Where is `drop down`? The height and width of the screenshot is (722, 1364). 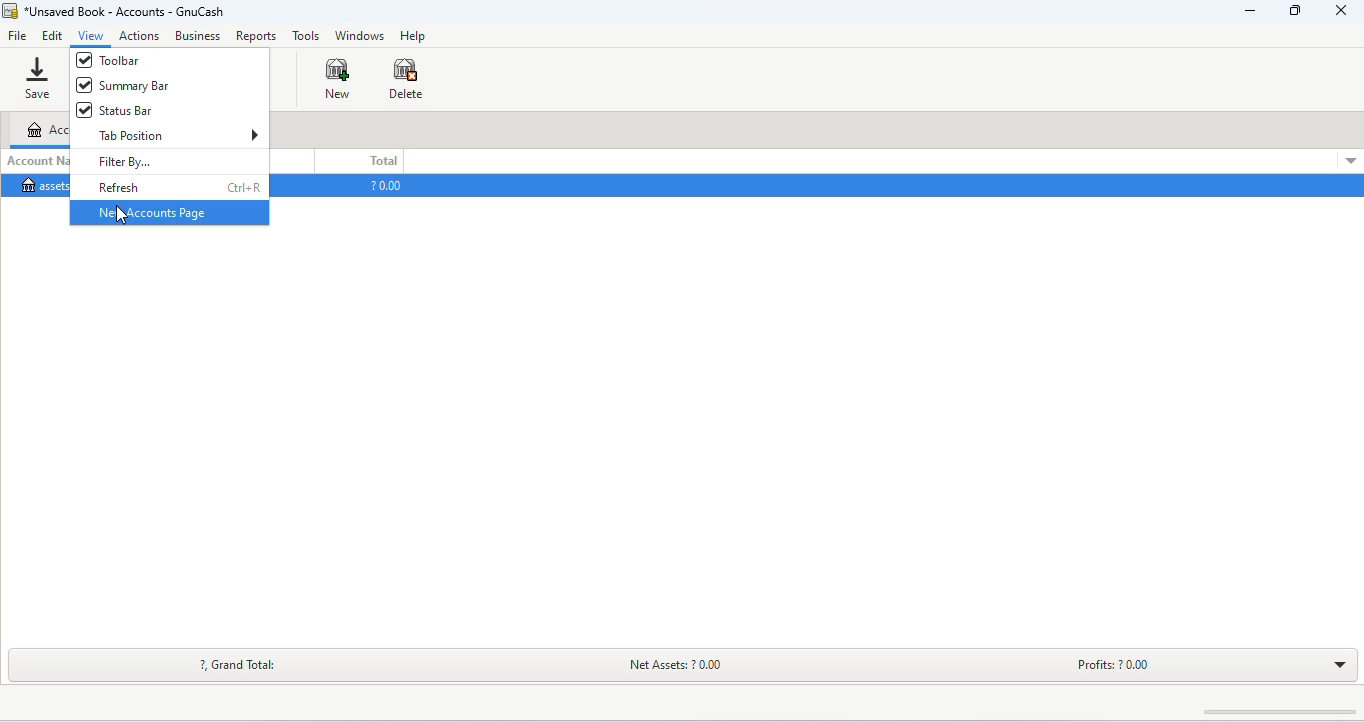
drop down is located at coordinates (1348, 160).